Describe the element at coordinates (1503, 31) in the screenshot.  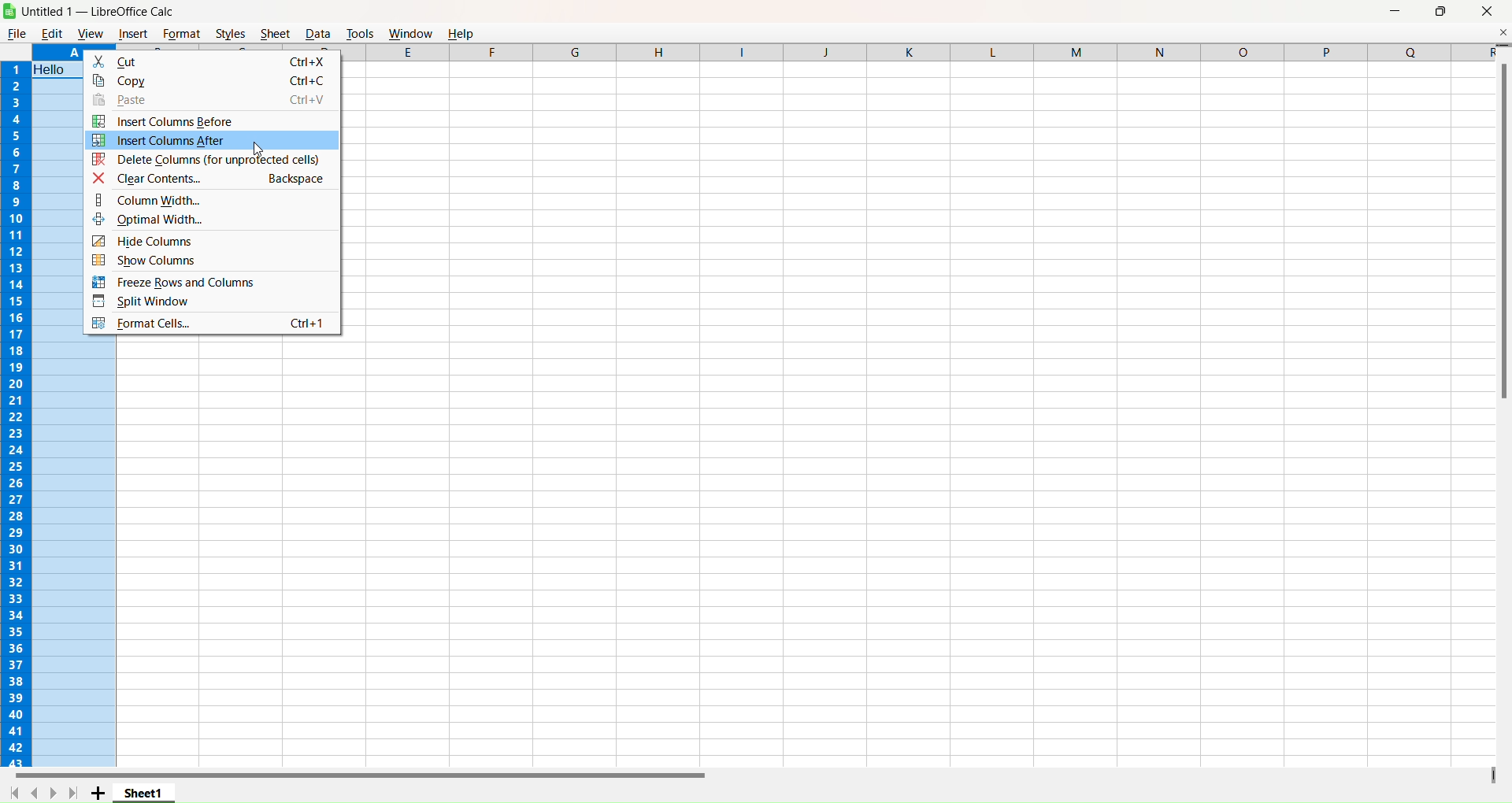
I see `Close Document` at that location.